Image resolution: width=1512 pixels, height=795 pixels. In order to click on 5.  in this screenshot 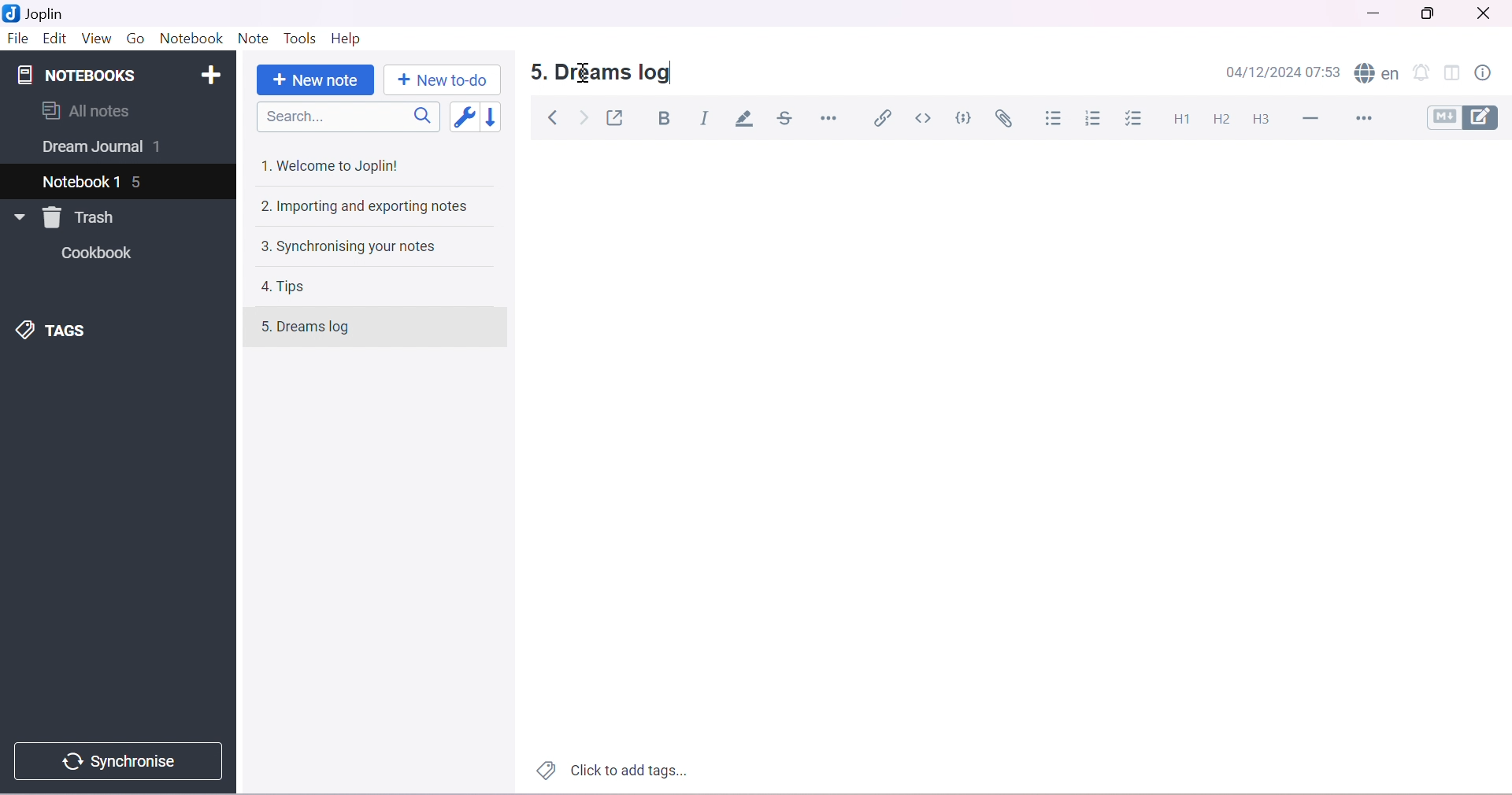, I will do `click(258, 331)`.